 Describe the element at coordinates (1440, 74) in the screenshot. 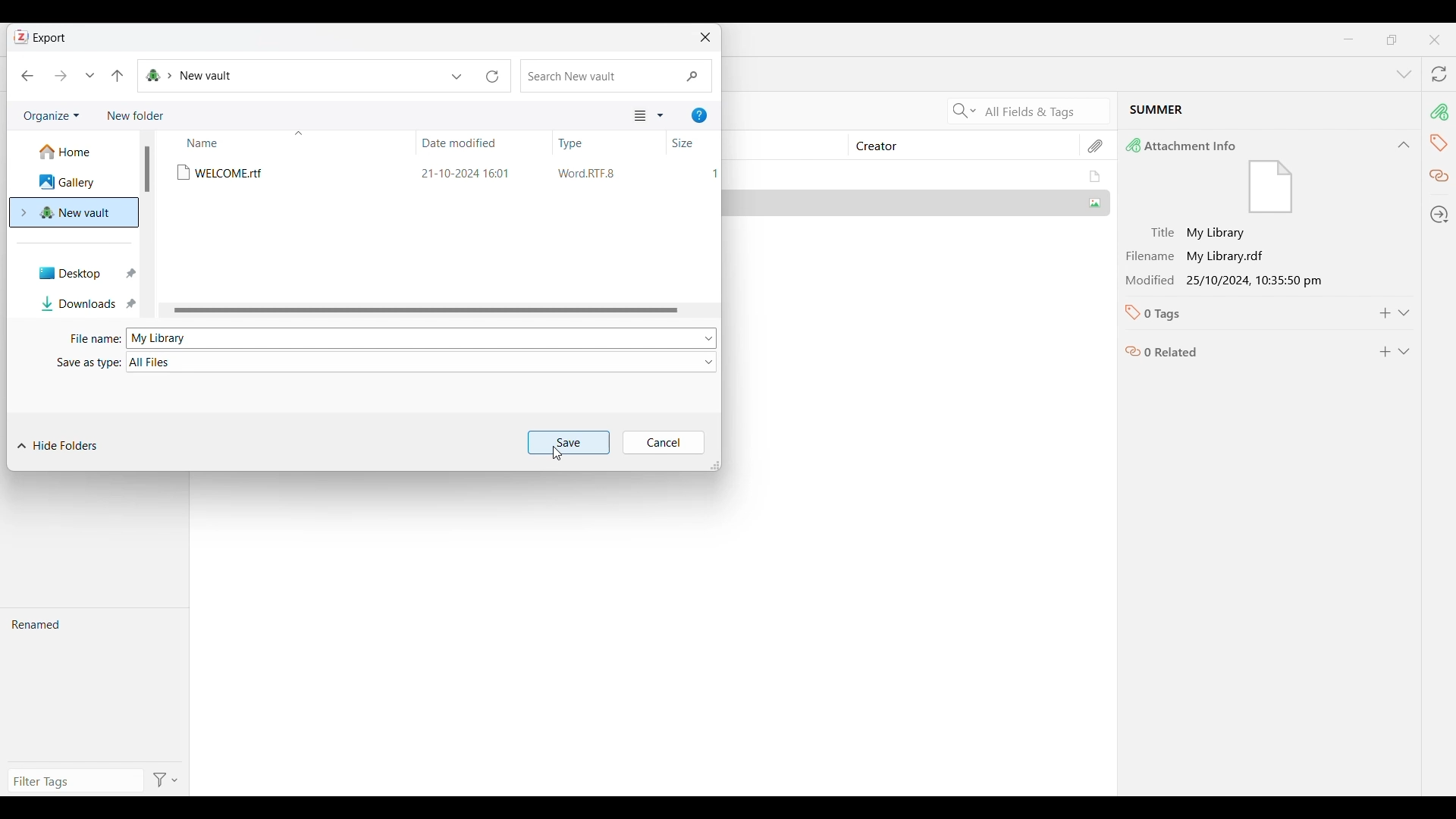

I see `Sync with zotero.org` at that location.